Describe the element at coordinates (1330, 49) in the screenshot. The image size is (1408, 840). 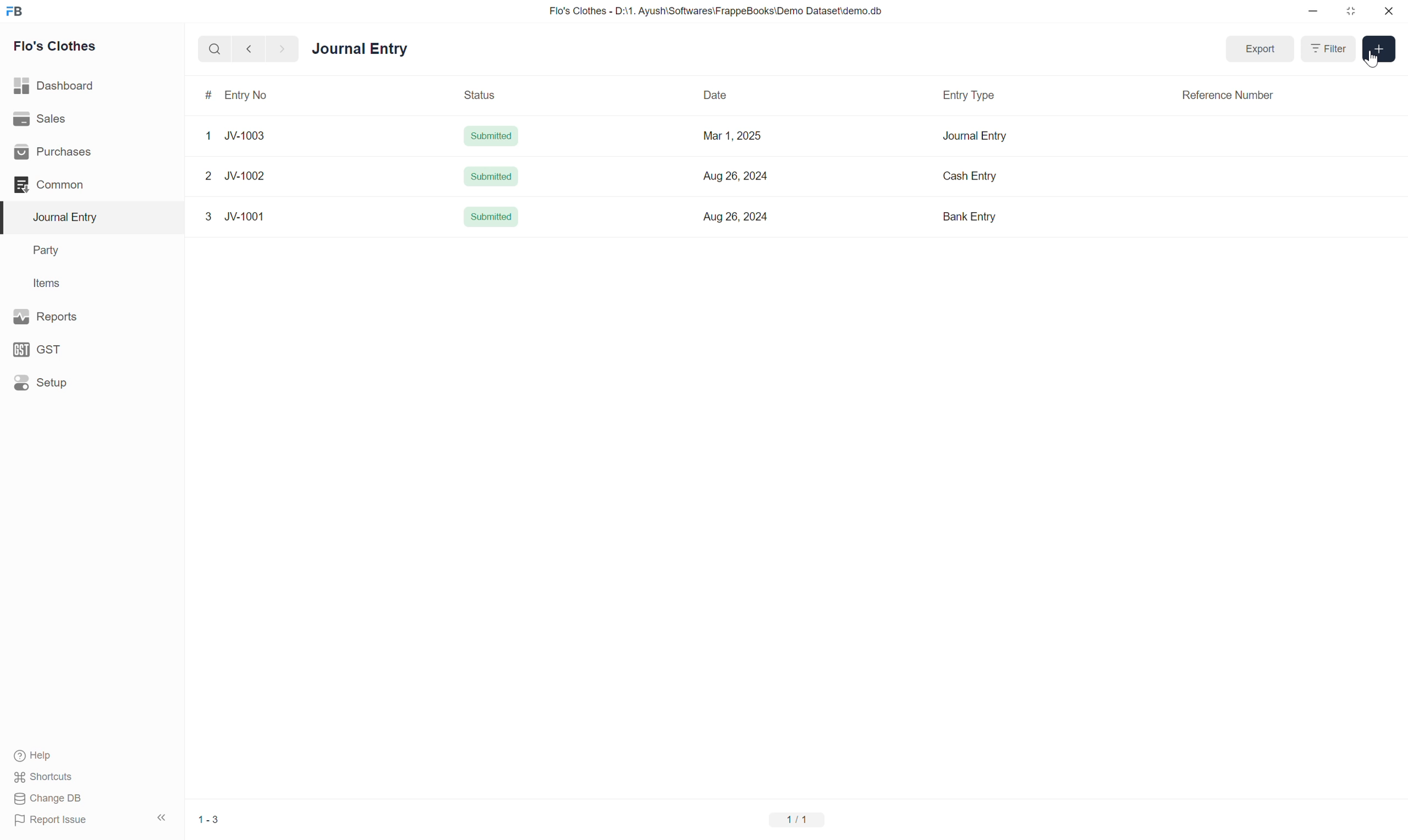
I see `Filter` at that location.